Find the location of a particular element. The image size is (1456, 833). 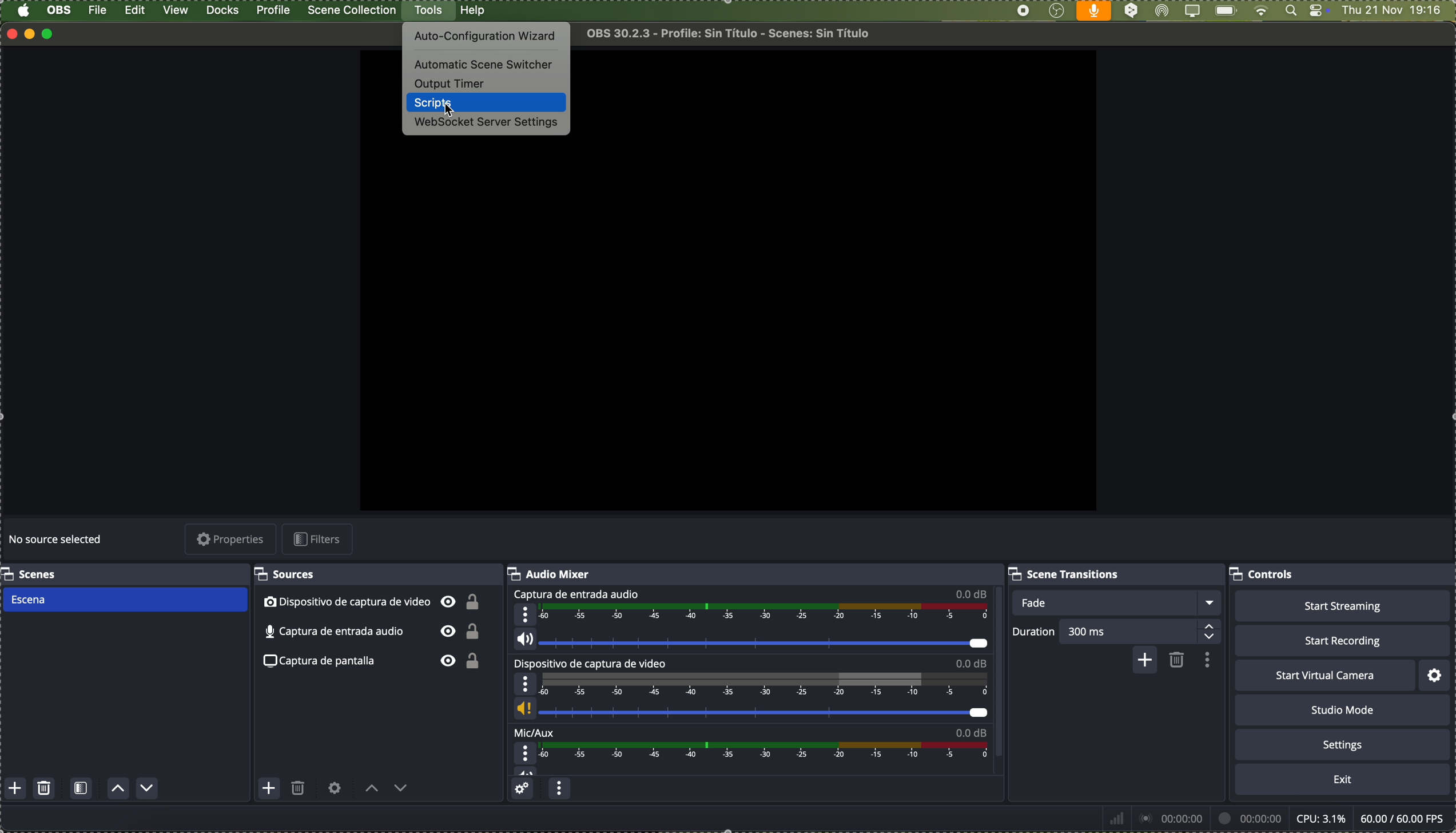

date and hour is located at coordinates (1398, 11).